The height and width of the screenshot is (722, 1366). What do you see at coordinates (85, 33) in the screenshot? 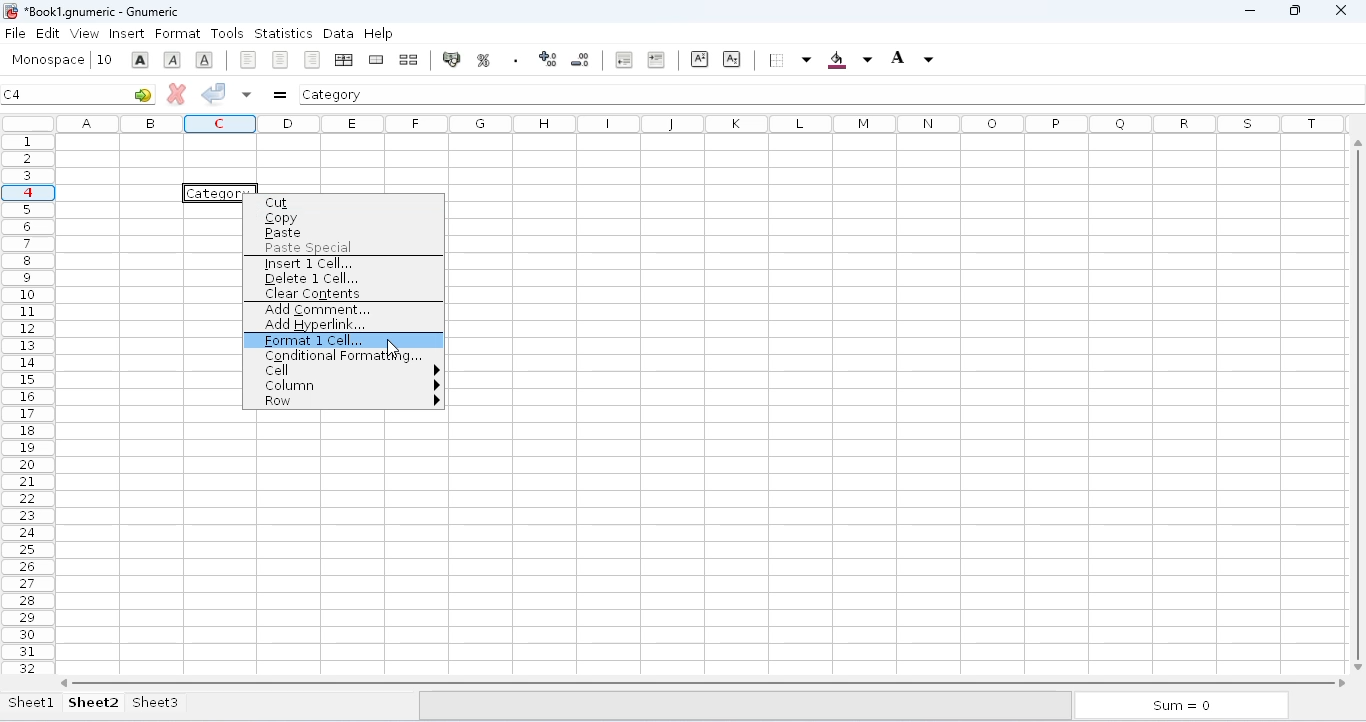
I see `view` at bounding box center [85, 33].